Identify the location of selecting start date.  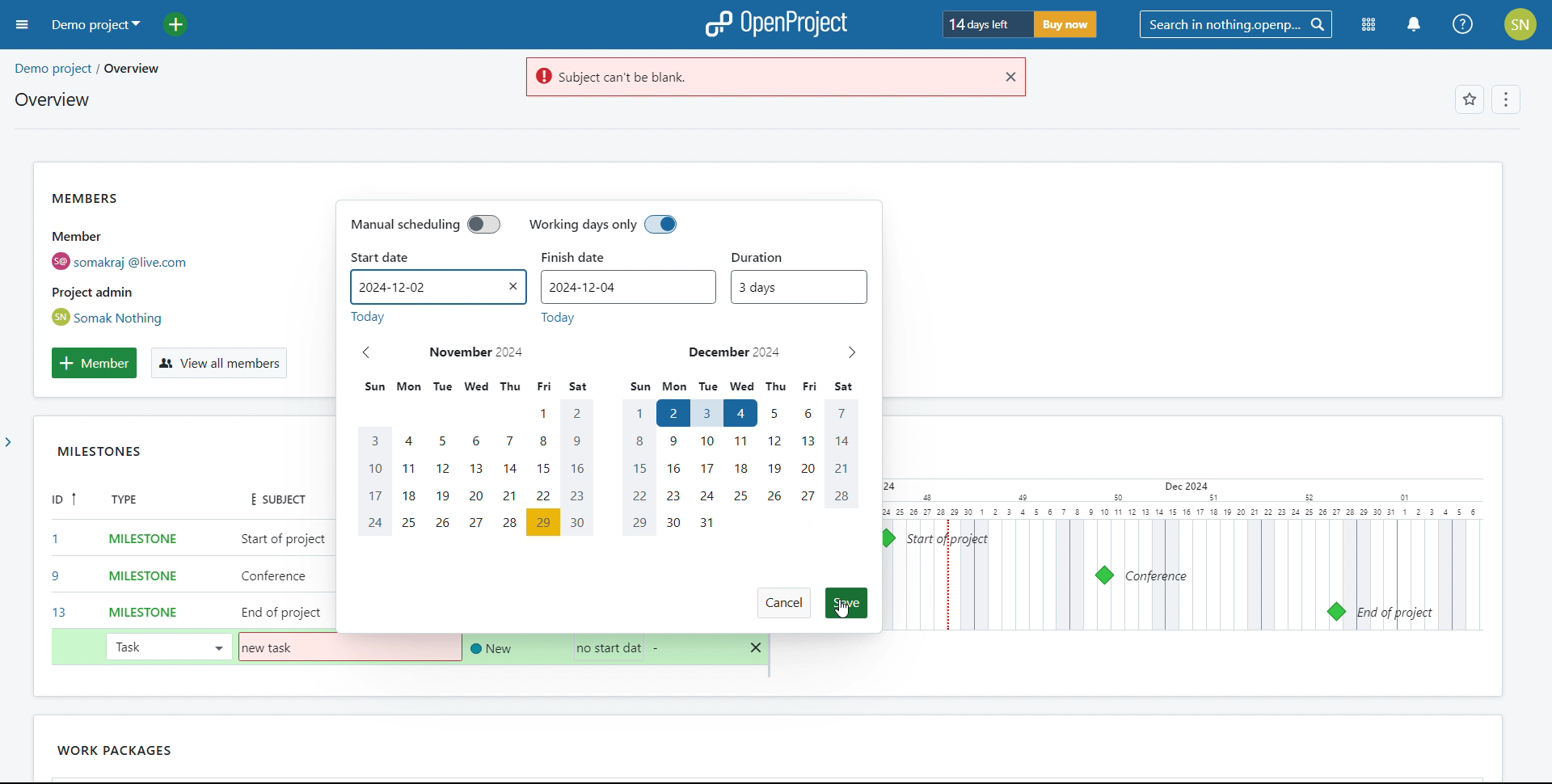
(603, 647).